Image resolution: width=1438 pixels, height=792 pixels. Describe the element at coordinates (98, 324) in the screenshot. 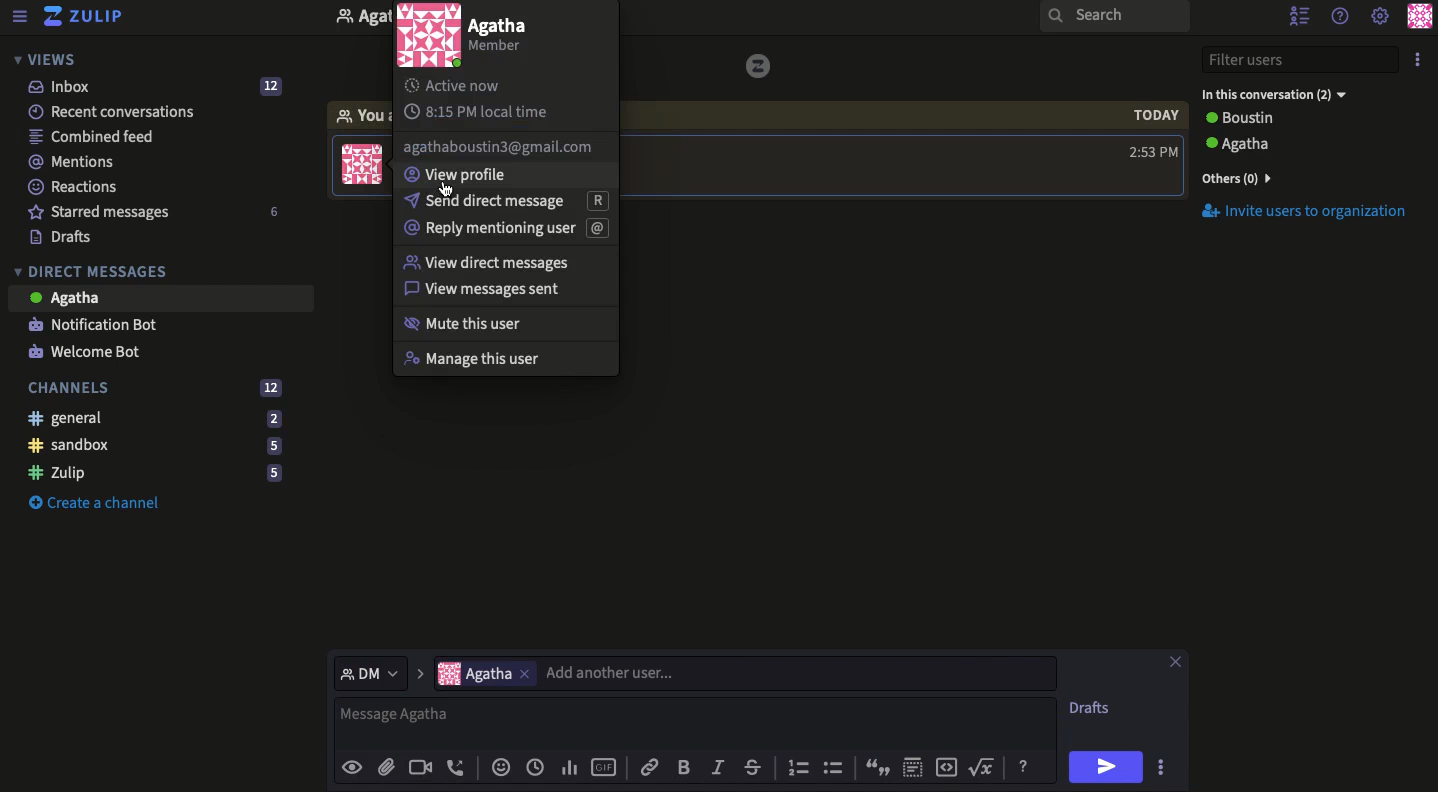

I see `Notification bot` at that location.